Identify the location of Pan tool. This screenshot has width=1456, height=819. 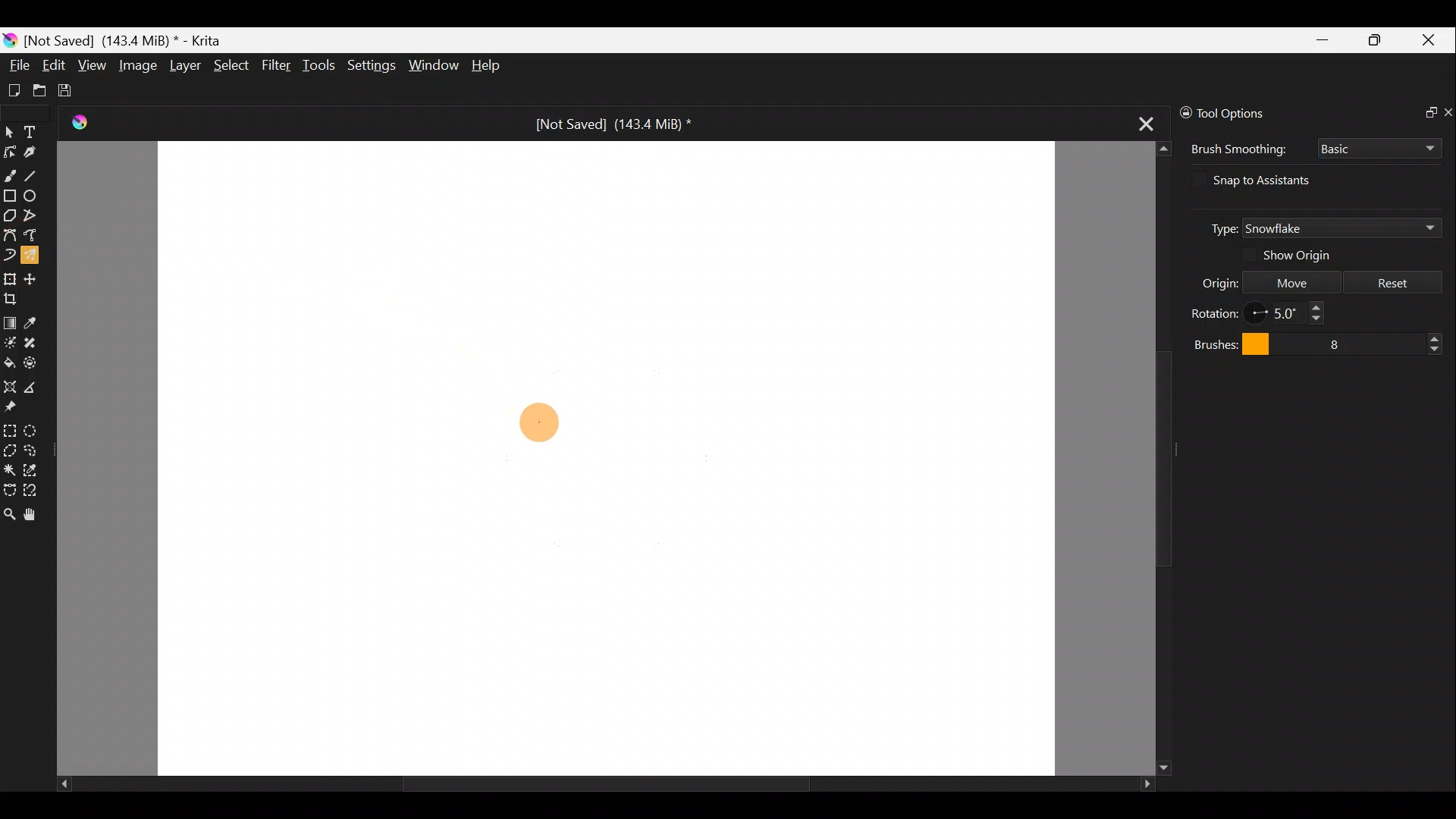
(35, 516).